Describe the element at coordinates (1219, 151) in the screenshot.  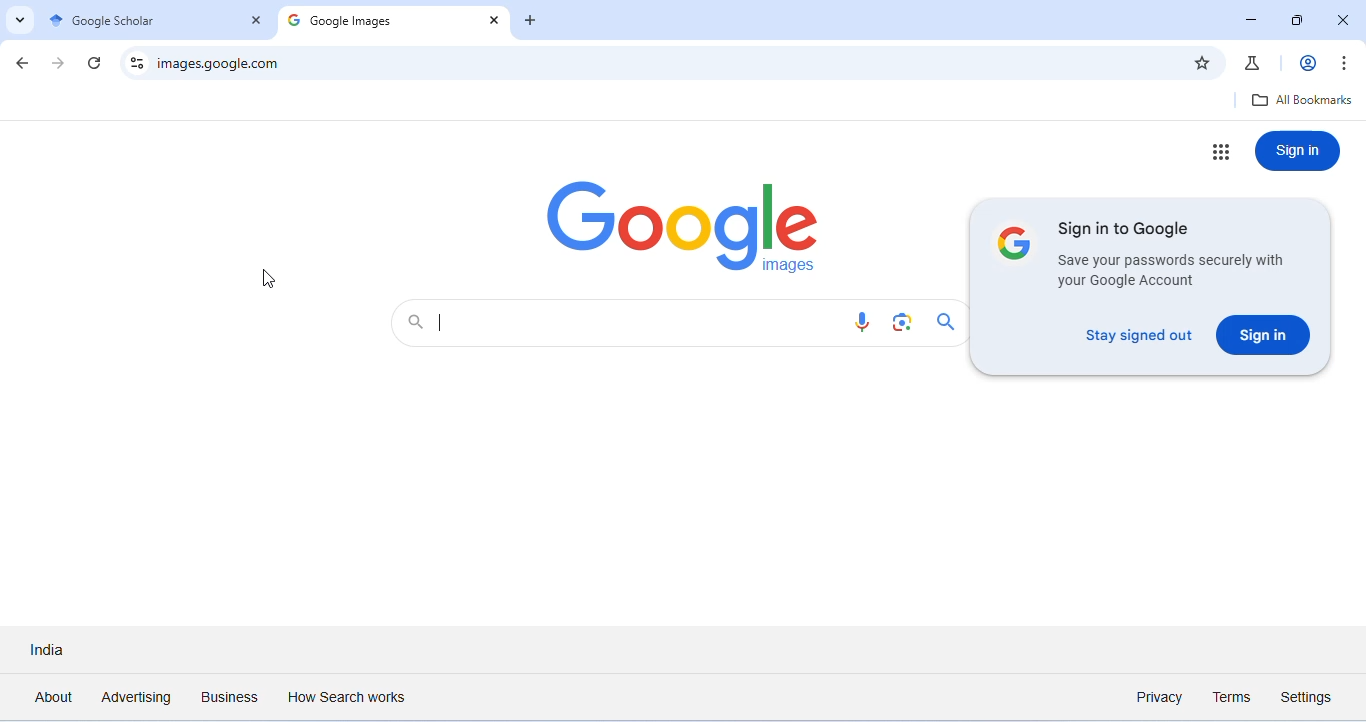
I see `google apps` at that location.